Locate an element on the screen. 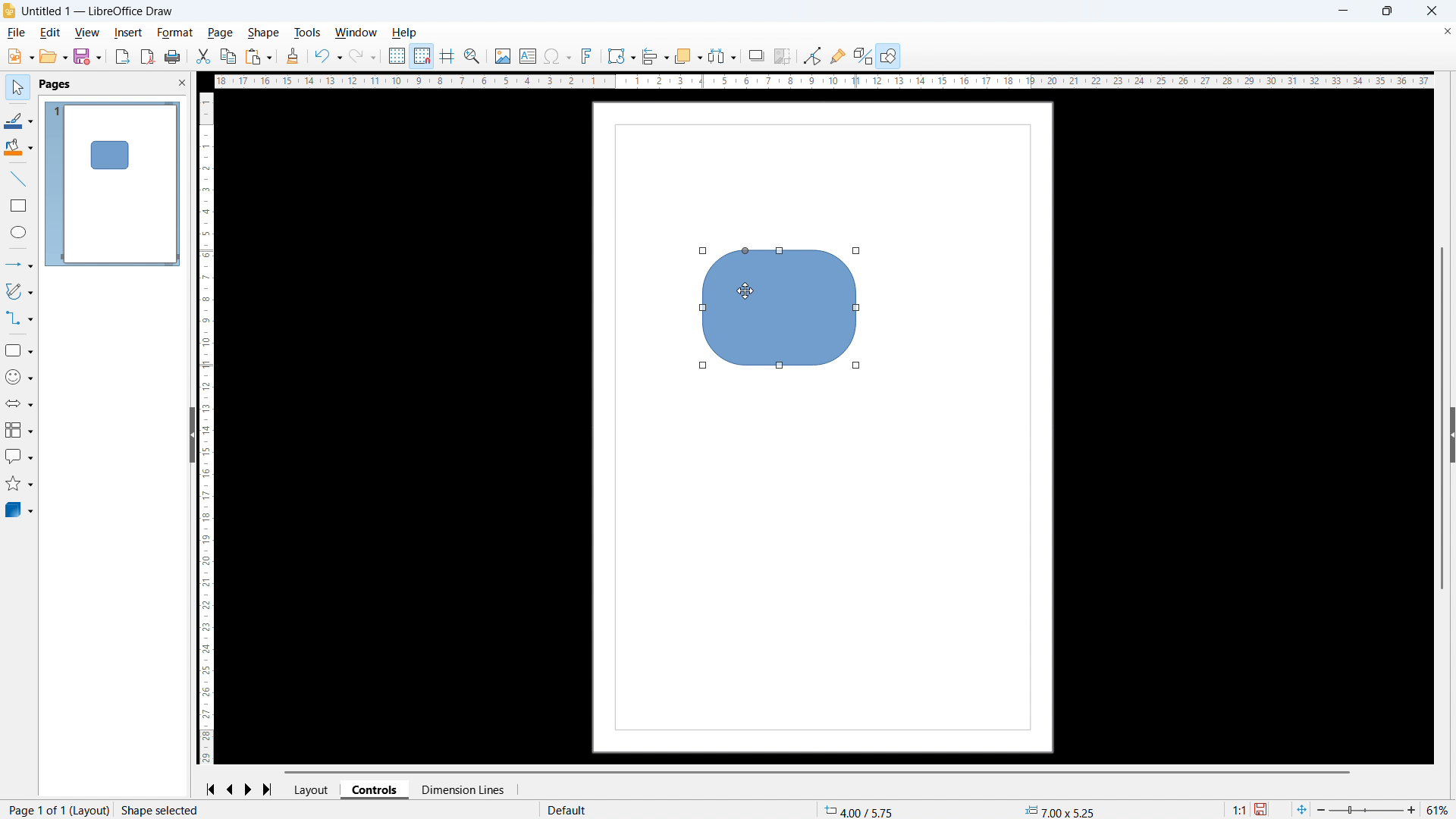 The image size is (1456, 819). Layout  is located at coordinates (313, 789).